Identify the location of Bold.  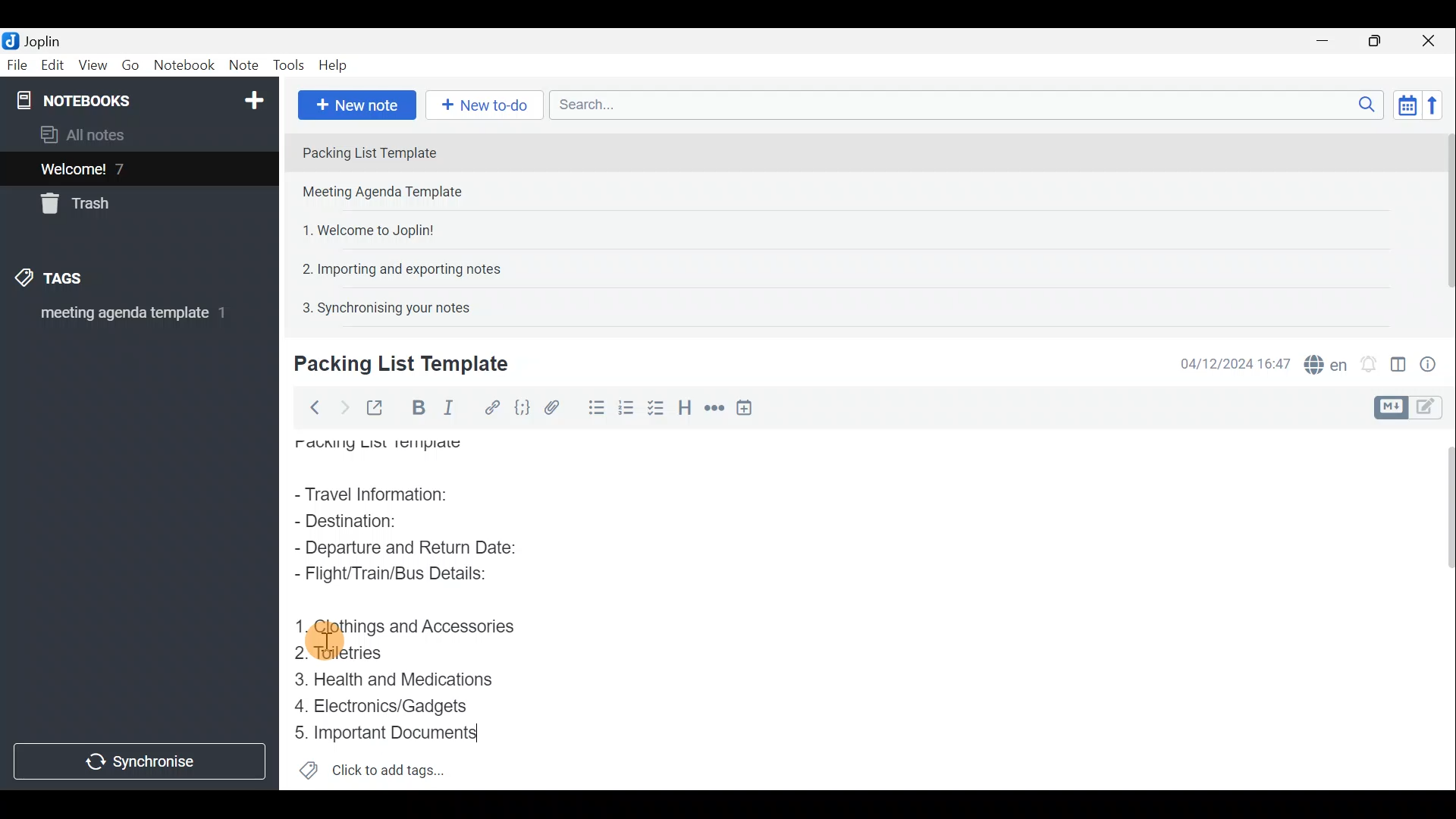
(416, 406).